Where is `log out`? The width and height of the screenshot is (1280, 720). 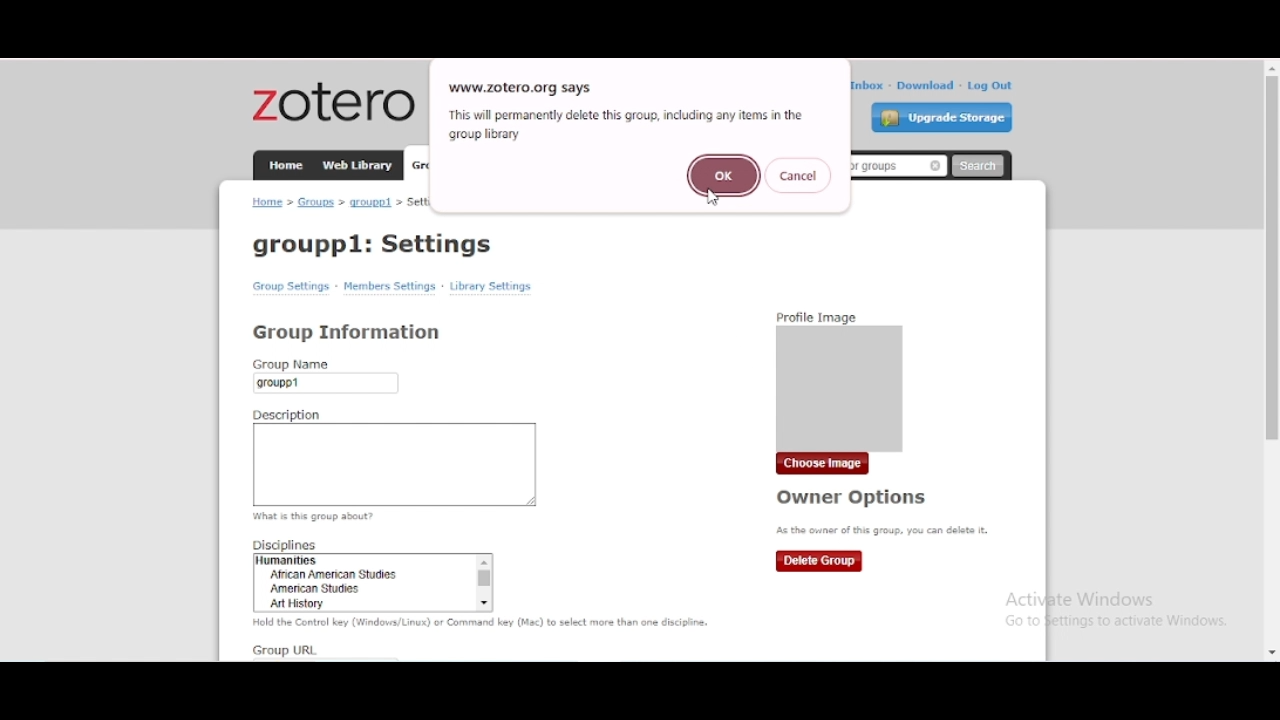
log out is located at coordinates (990, 85).